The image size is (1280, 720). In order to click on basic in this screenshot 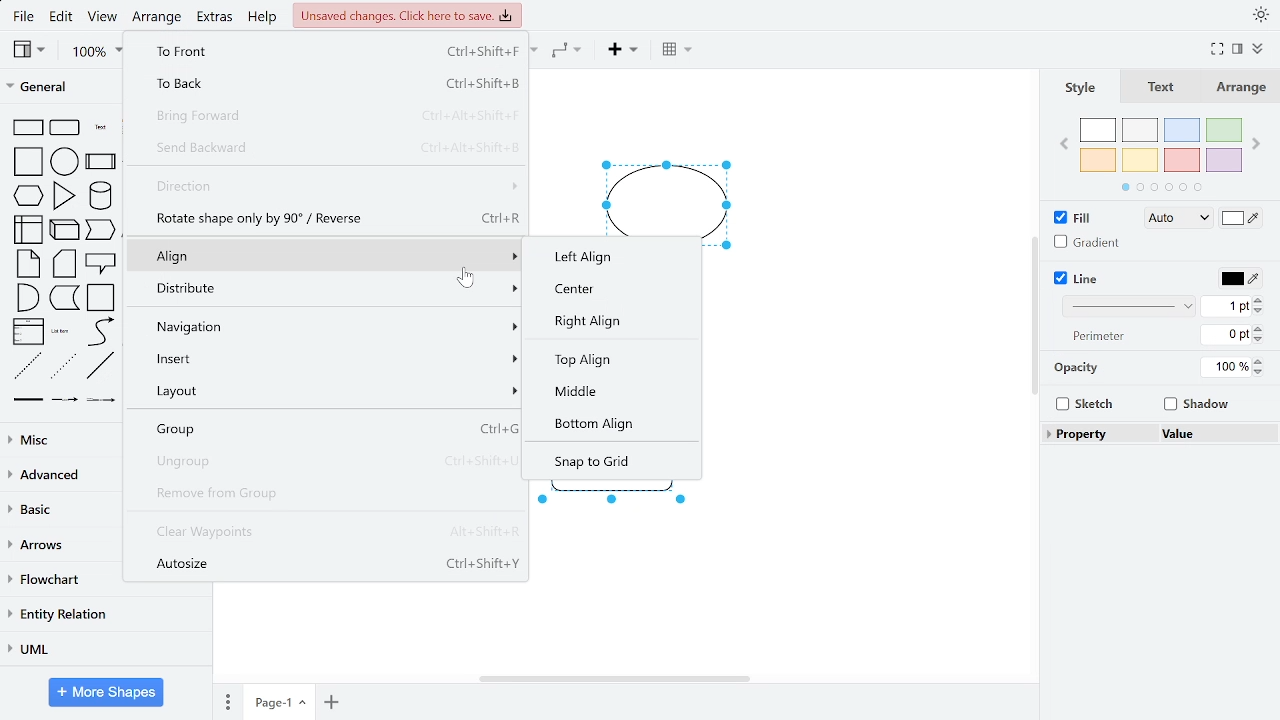, I will do `click(59, 511)`.